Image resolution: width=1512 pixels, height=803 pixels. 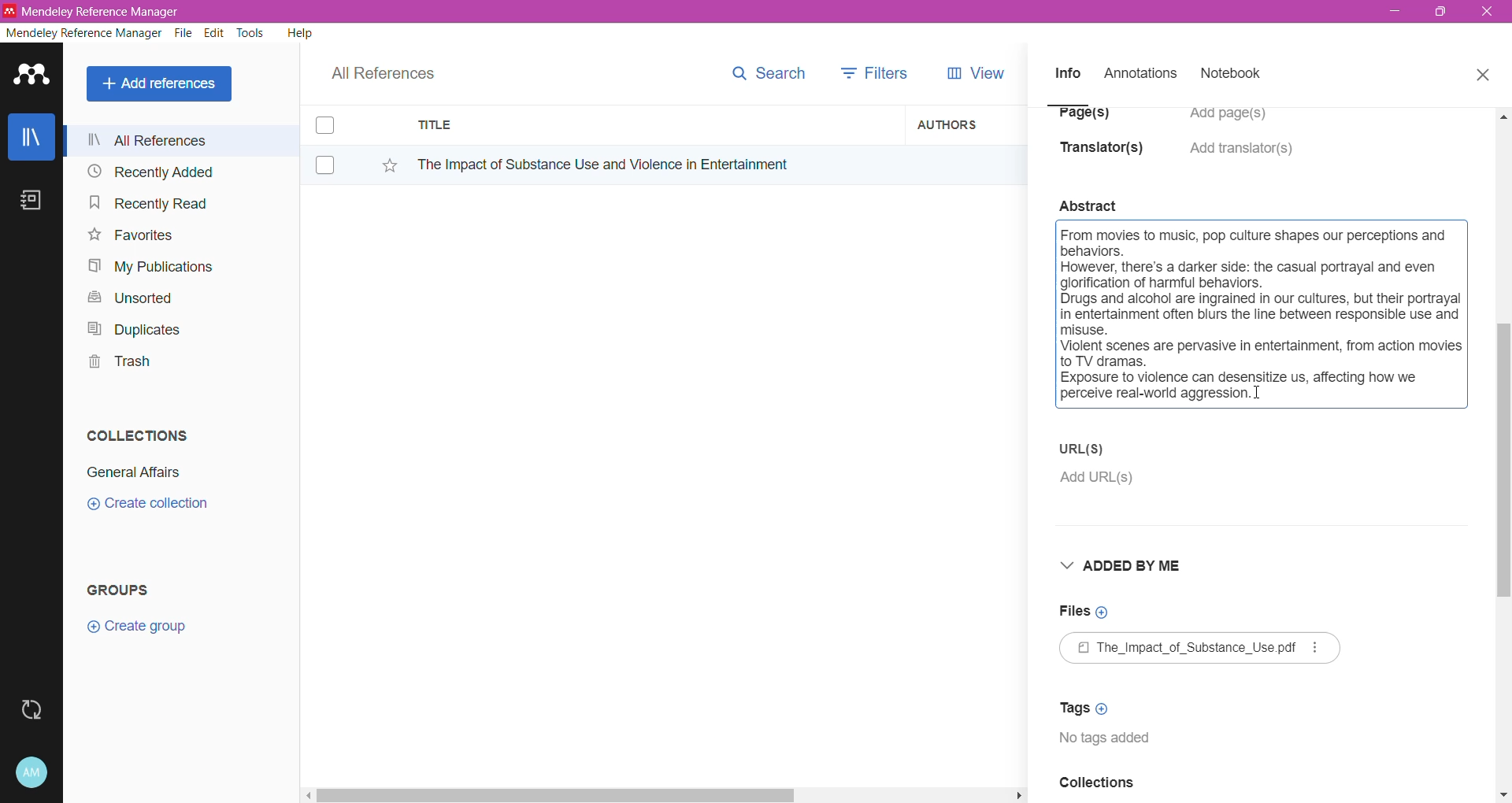 What do you see at coordinates (1262, 299) in the screenshot?
I see `Click to select the full summary` at bounding box center [1262, 299].